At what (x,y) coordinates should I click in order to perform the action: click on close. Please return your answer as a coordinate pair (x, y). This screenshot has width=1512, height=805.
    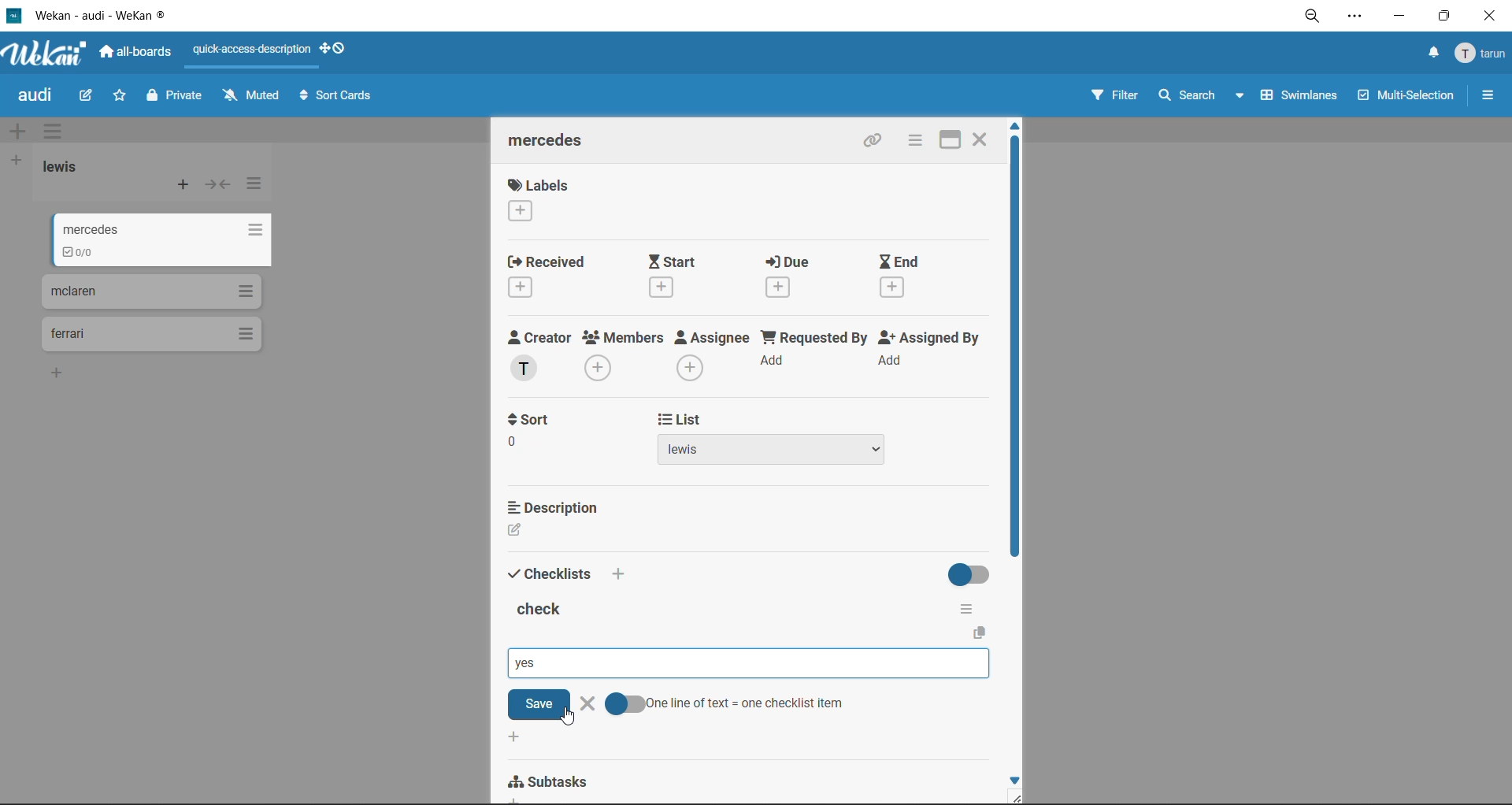
    Looking at the image, I should click on (1488, 17).